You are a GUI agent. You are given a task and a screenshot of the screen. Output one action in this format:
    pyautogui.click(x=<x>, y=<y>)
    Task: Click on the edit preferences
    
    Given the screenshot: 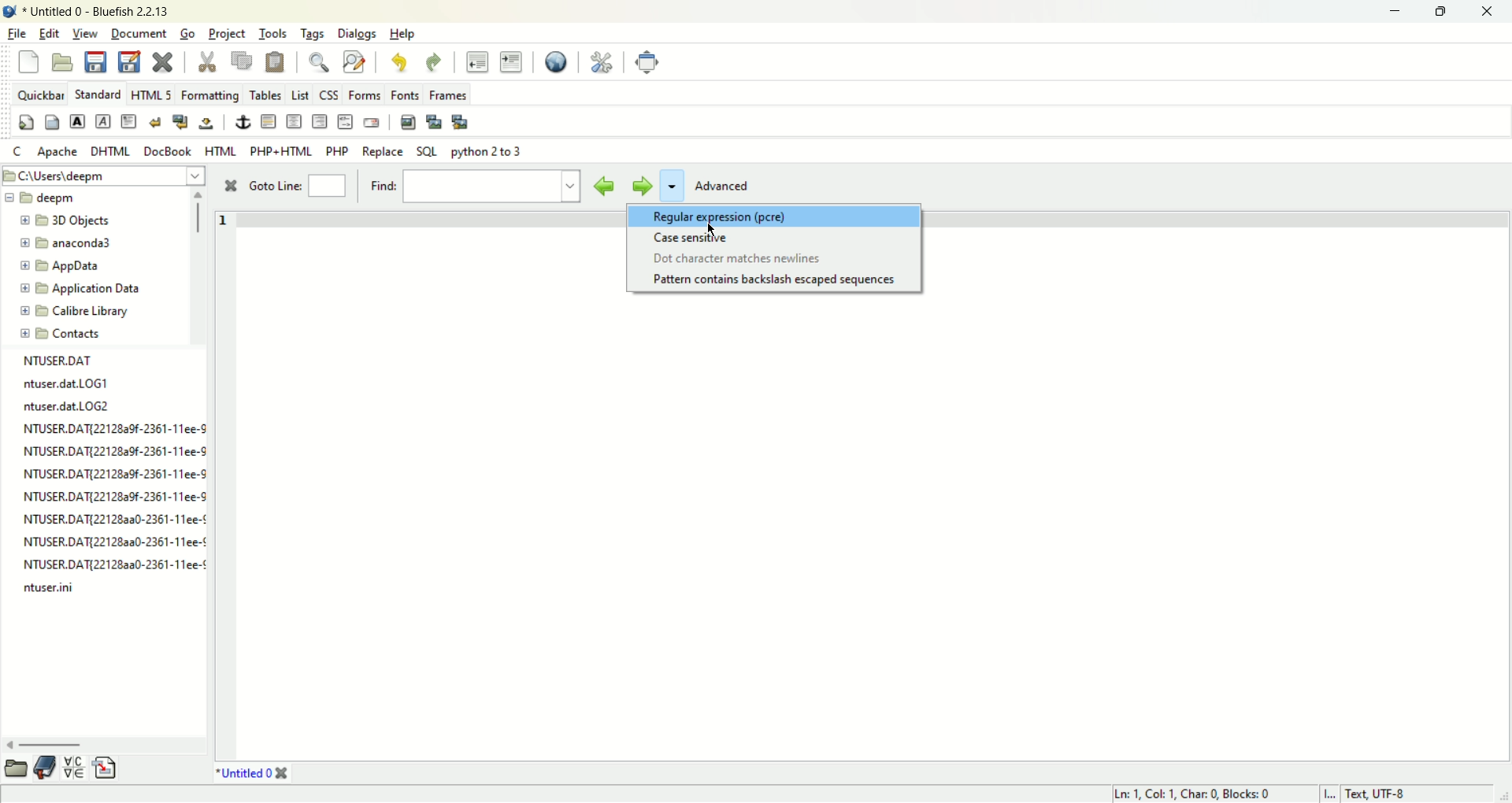 What is the action you would take?
    pyautogui.click(x=601, y=61)
    